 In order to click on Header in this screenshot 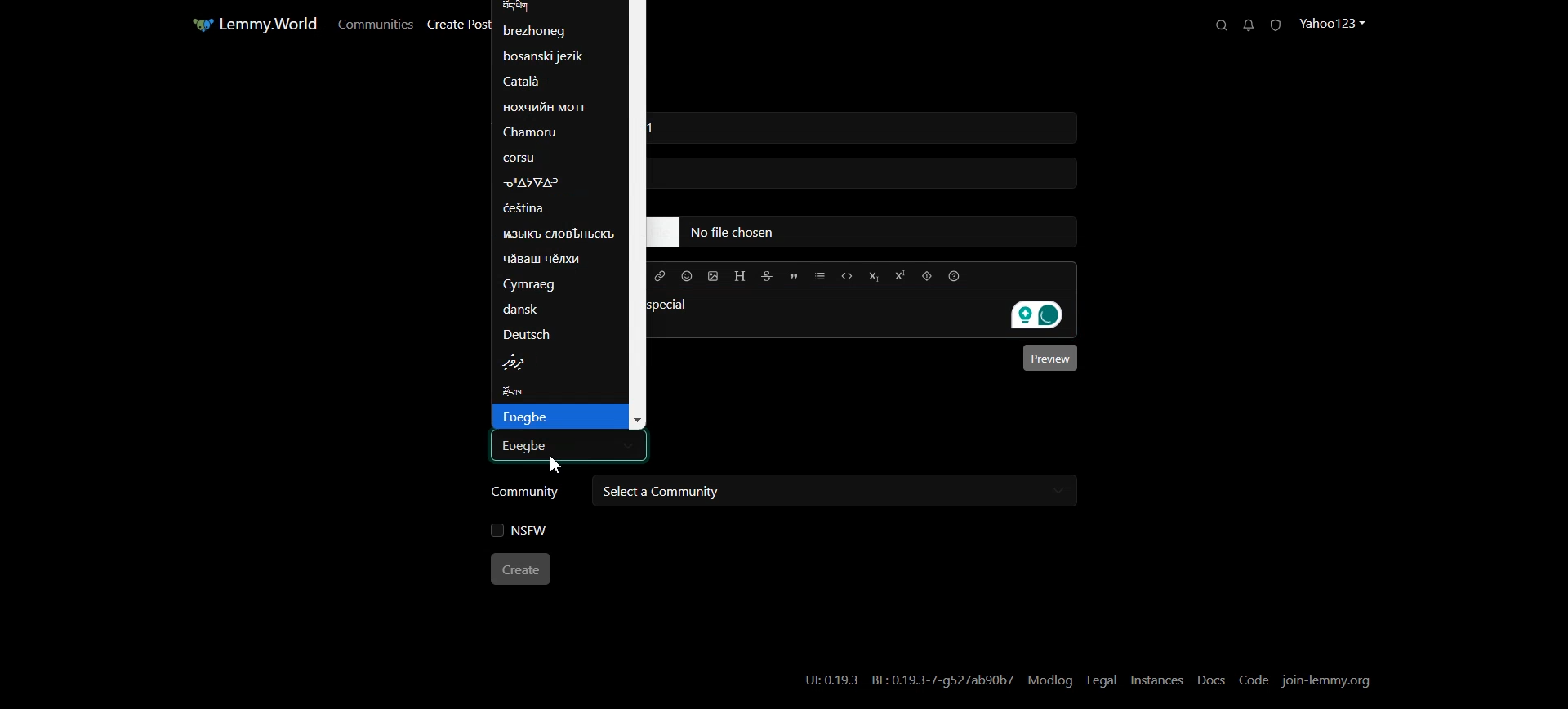, I will do `click(740, 276)`.